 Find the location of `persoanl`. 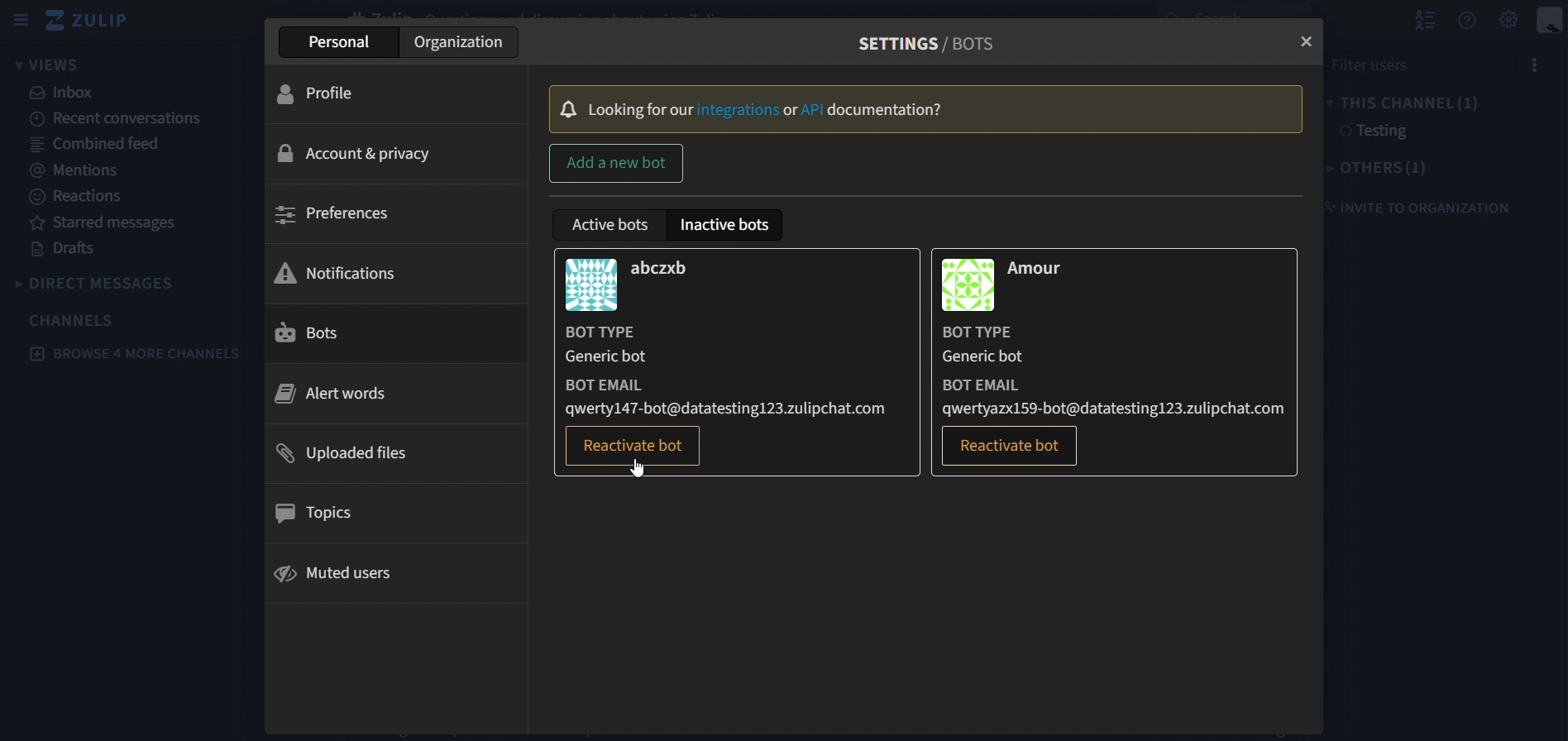

persoanl is located at coordinates (342, 41).